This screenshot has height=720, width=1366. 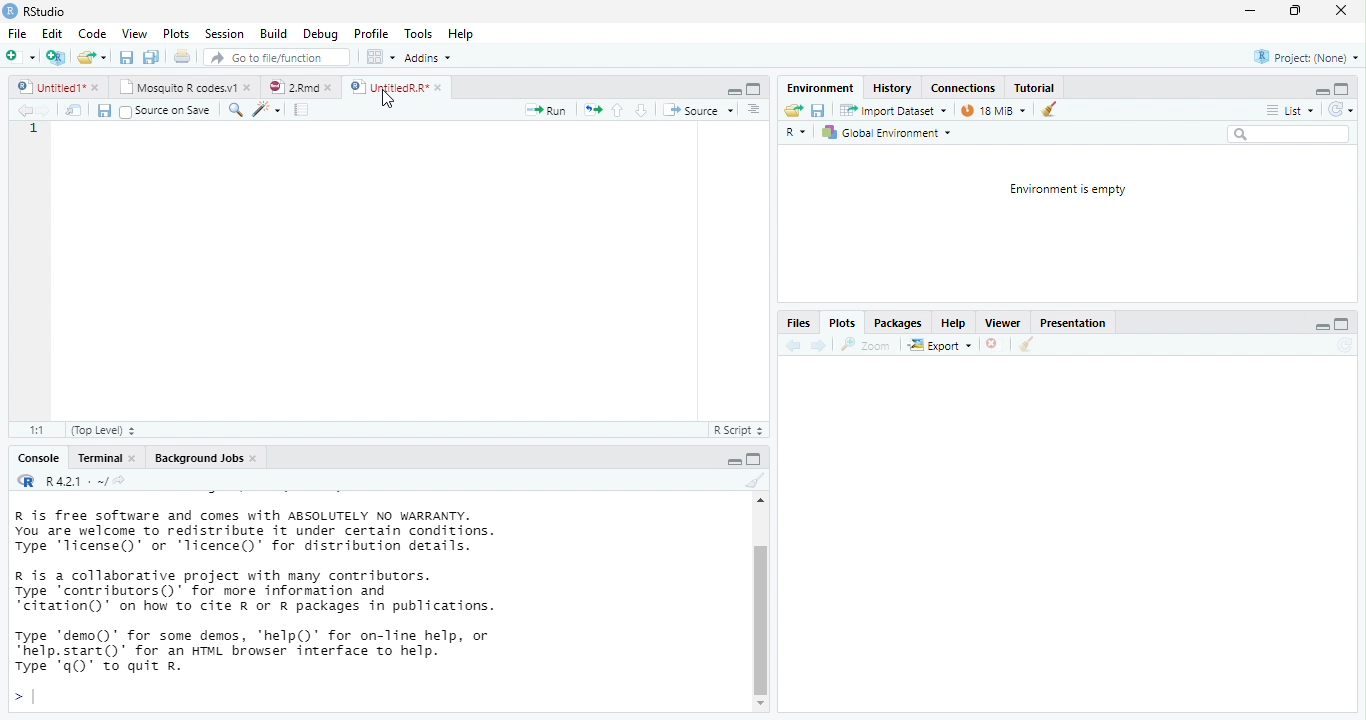 What do you see at coordinates (441, 88) in the screenshot?
I see `close` at bounding box center [441, 88].